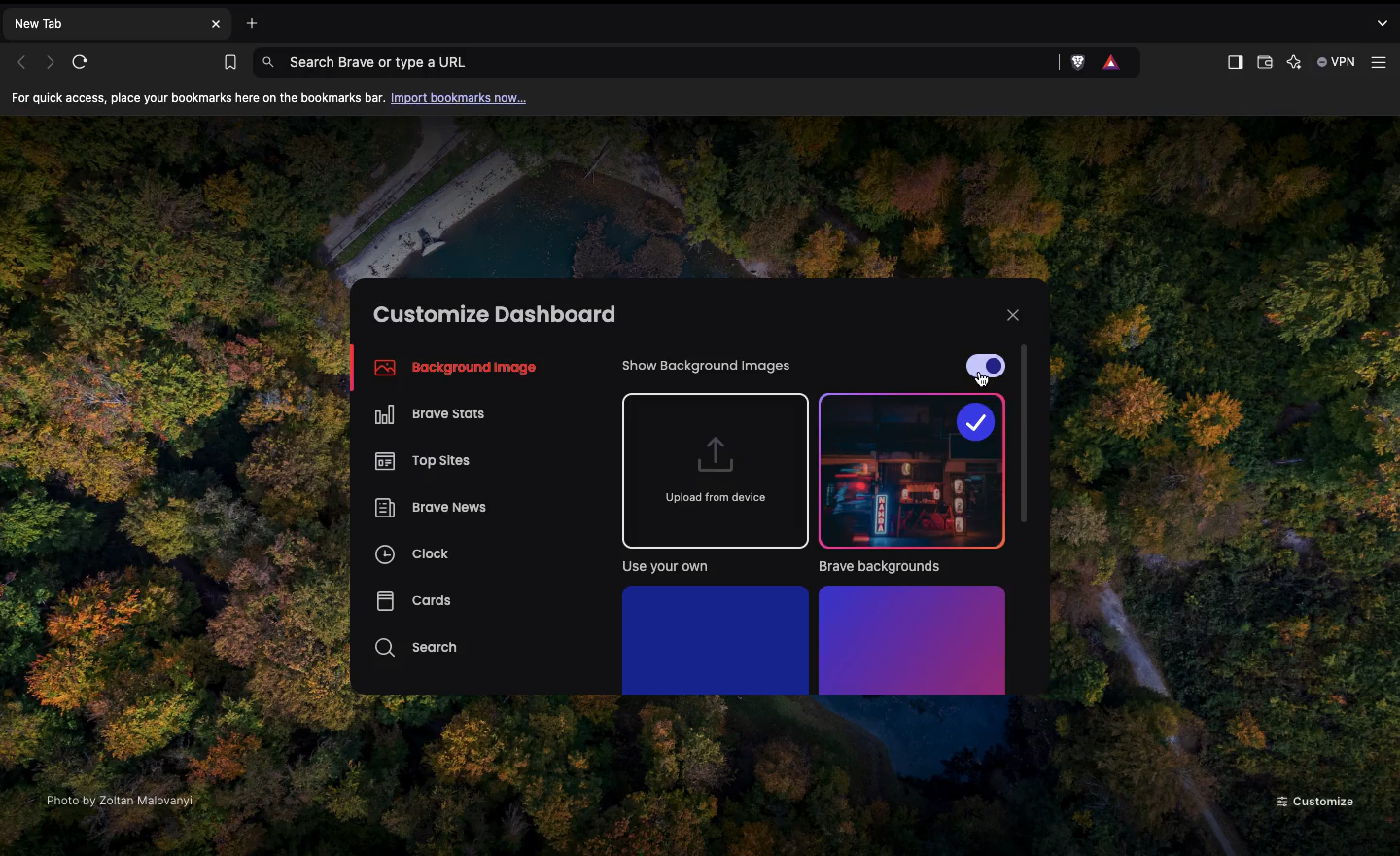  Describe the element at coordinates (216, 24) in the screenshot. I see `Close new tab` at that location.